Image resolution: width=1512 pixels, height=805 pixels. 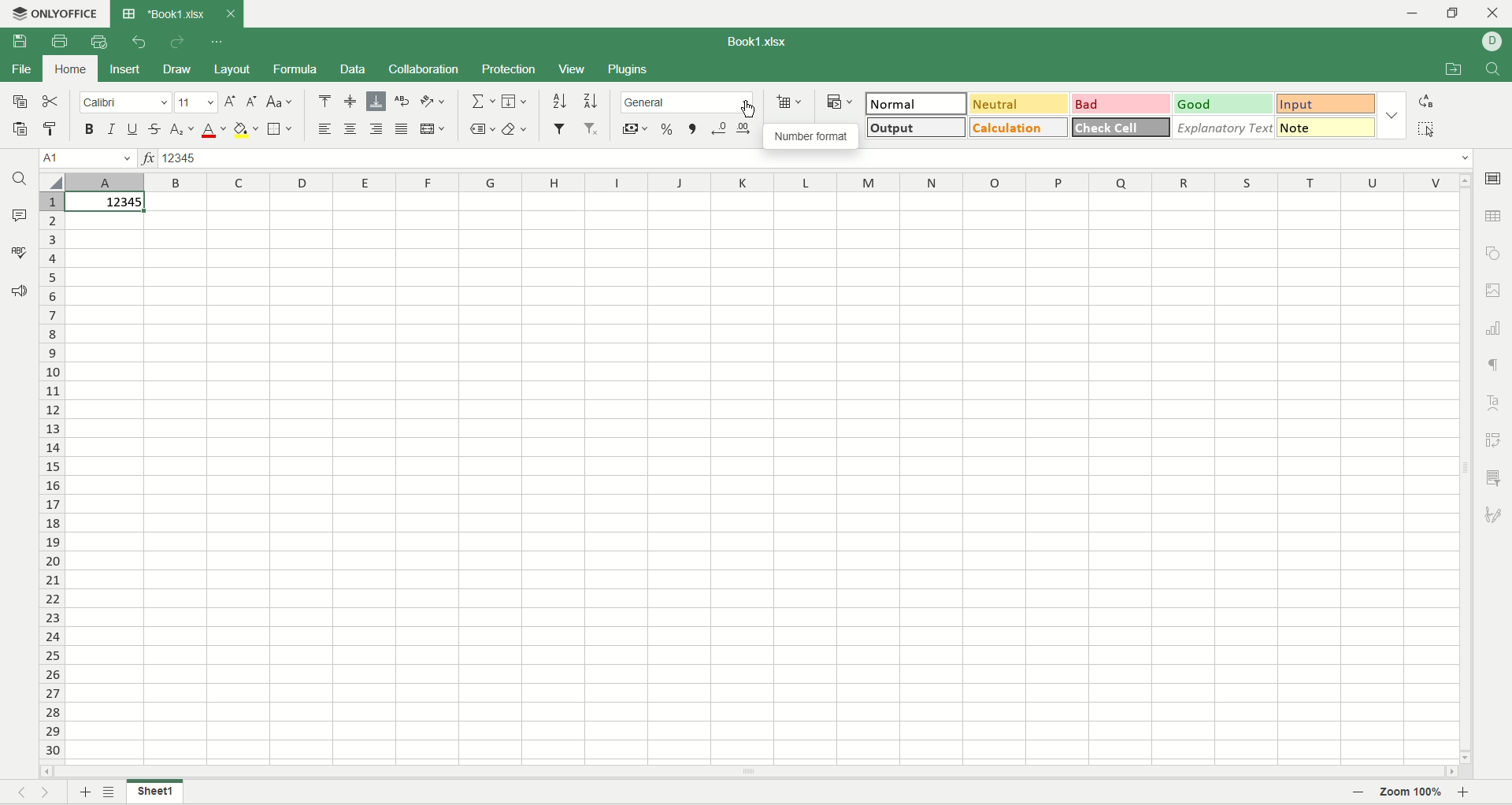 I want to click on output, so click(x=914, y=127).